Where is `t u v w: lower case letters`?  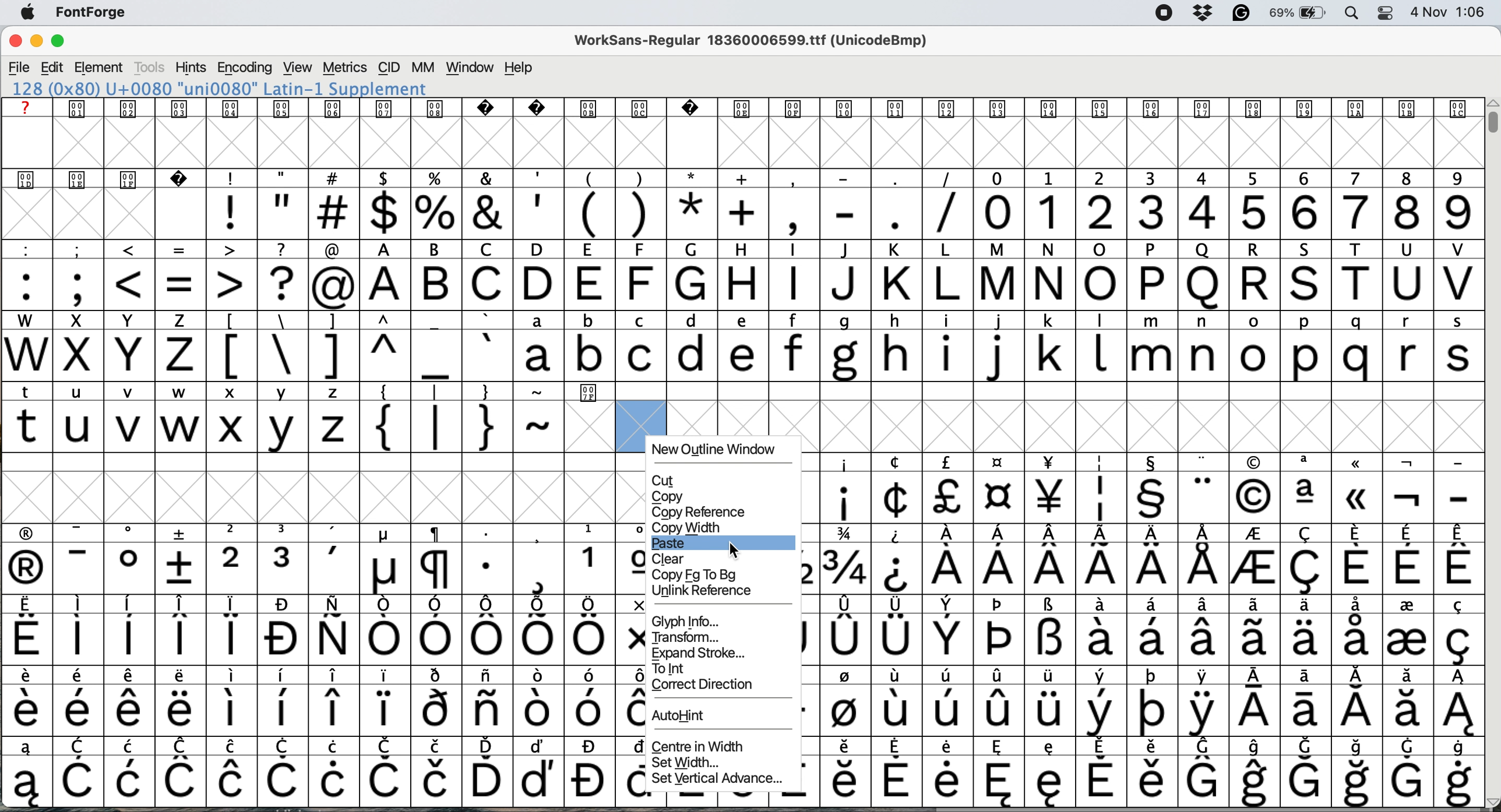 t u v w: lower case letters is located at coordinates (106, 428).